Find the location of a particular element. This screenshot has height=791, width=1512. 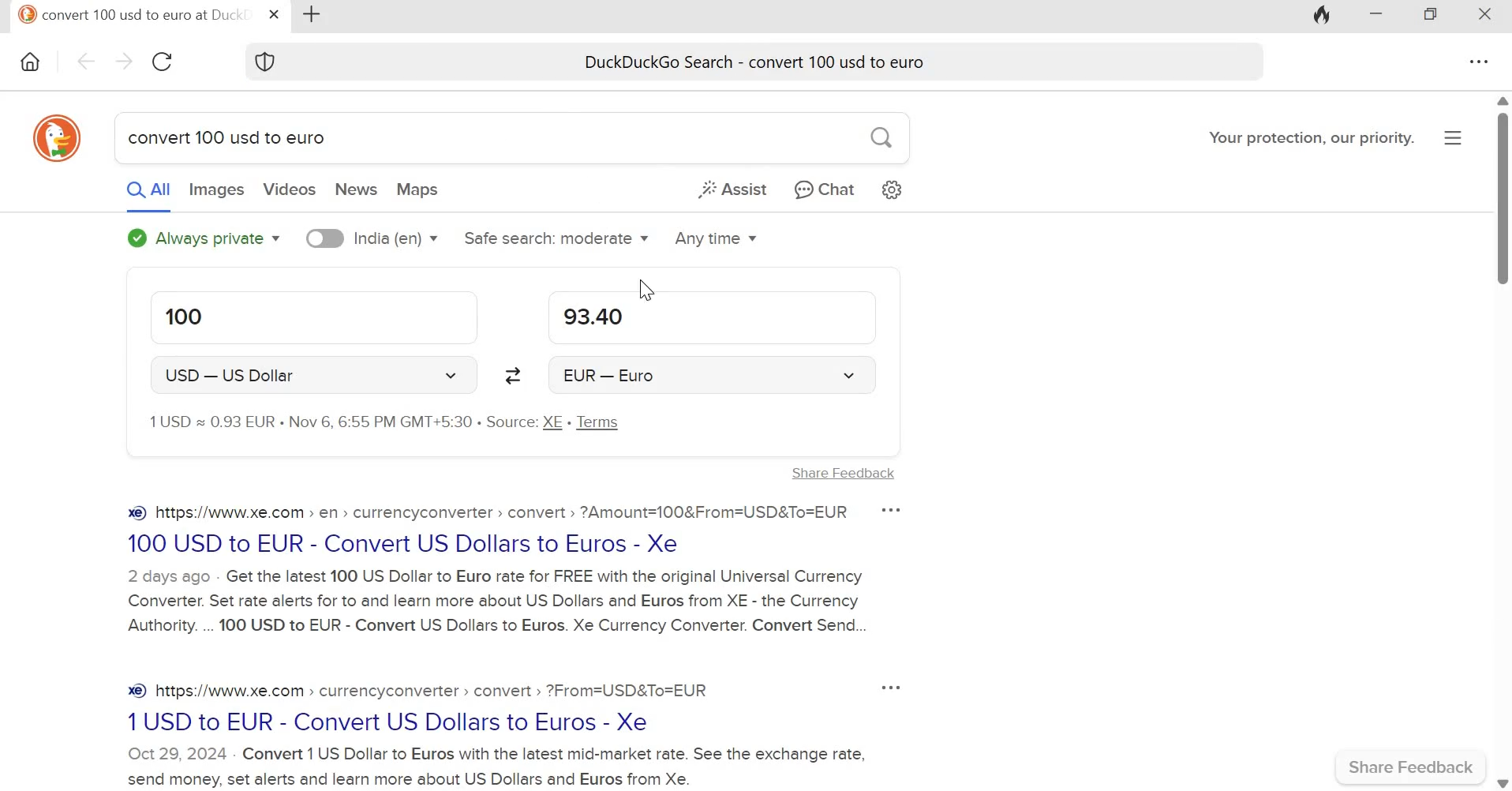

Your protection, our priority.  is located at coordinates (1304, 138).